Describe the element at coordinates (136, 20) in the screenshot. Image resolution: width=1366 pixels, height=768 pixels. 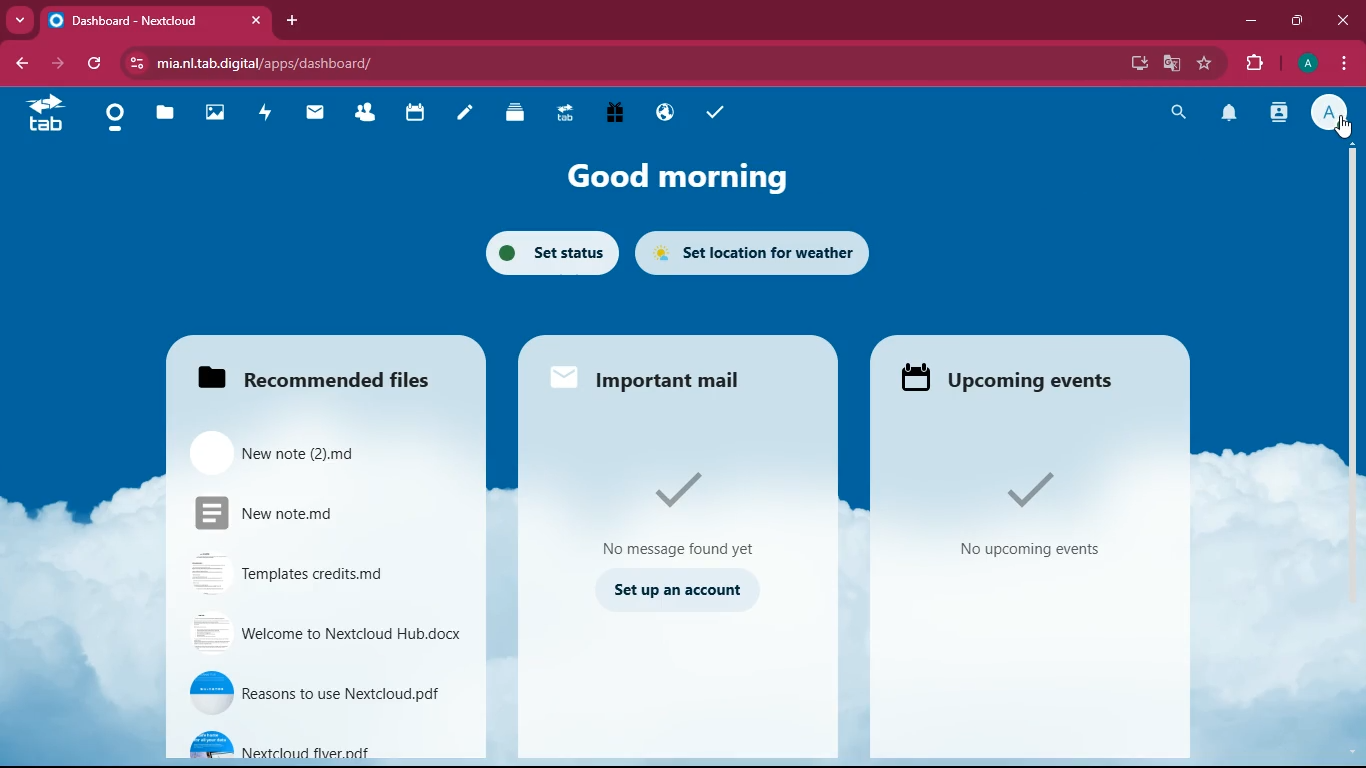
I see `Dashboard - Nextcloud` at that location.